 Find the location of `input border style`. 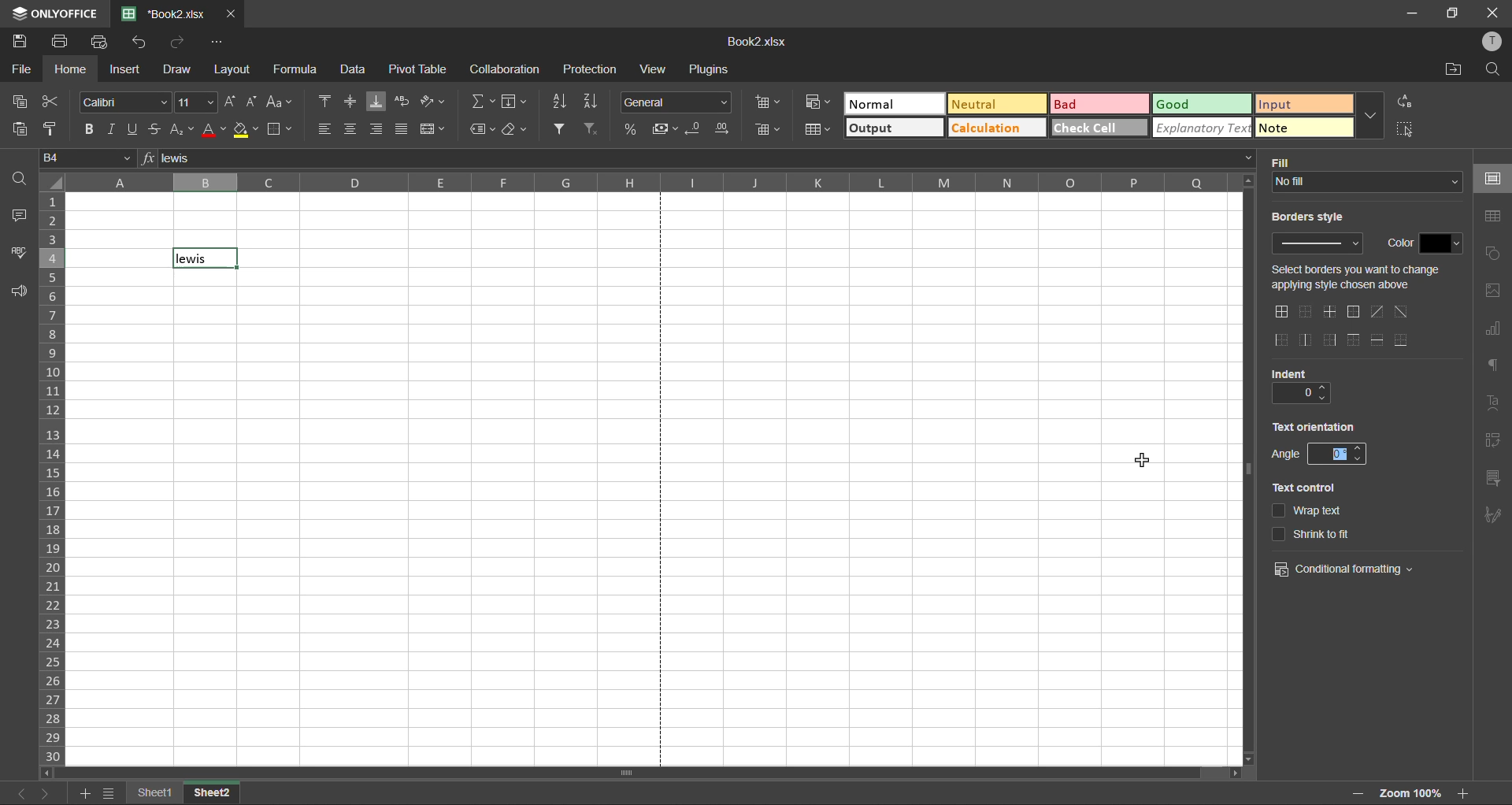

input border style is located at coordinates (1317, 245).